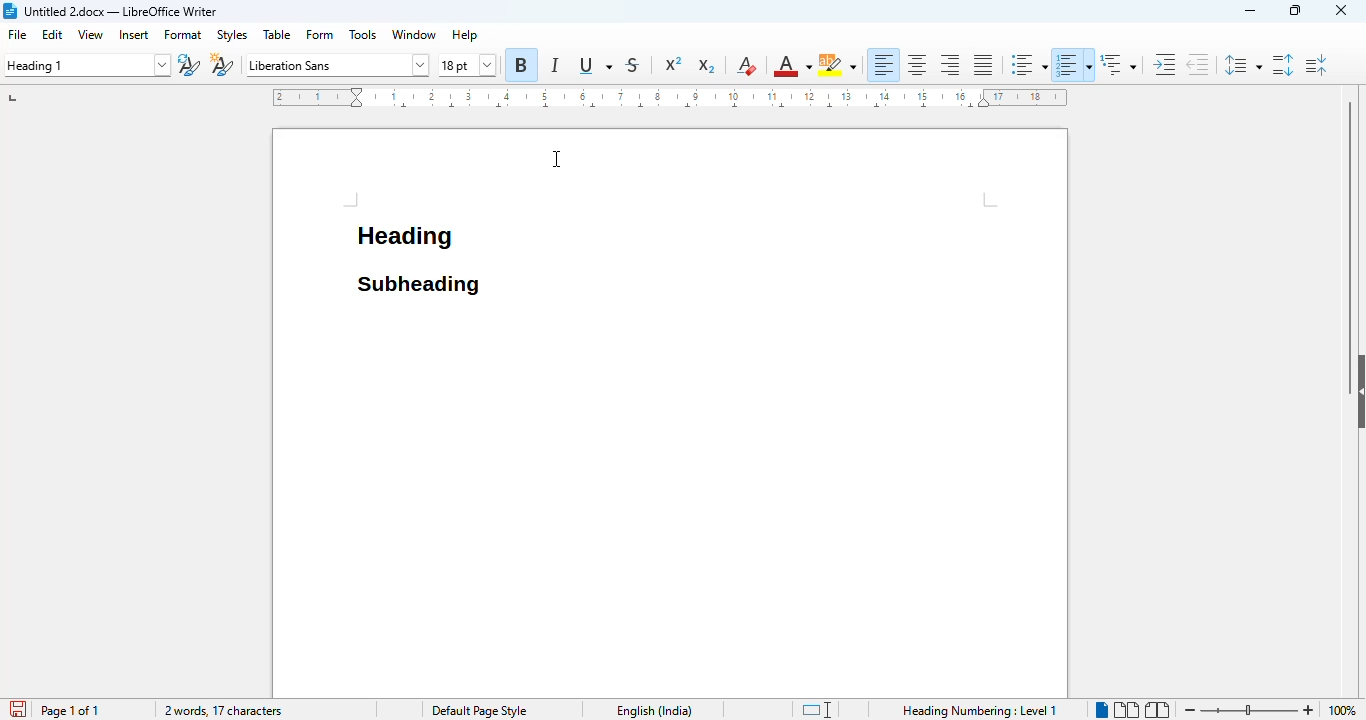 The width and height of the screenshot is (1366, 720). What do you see at coordinates (13, 710) in the screenshot?
I see `click to save document` at bounding box center [13, 710].